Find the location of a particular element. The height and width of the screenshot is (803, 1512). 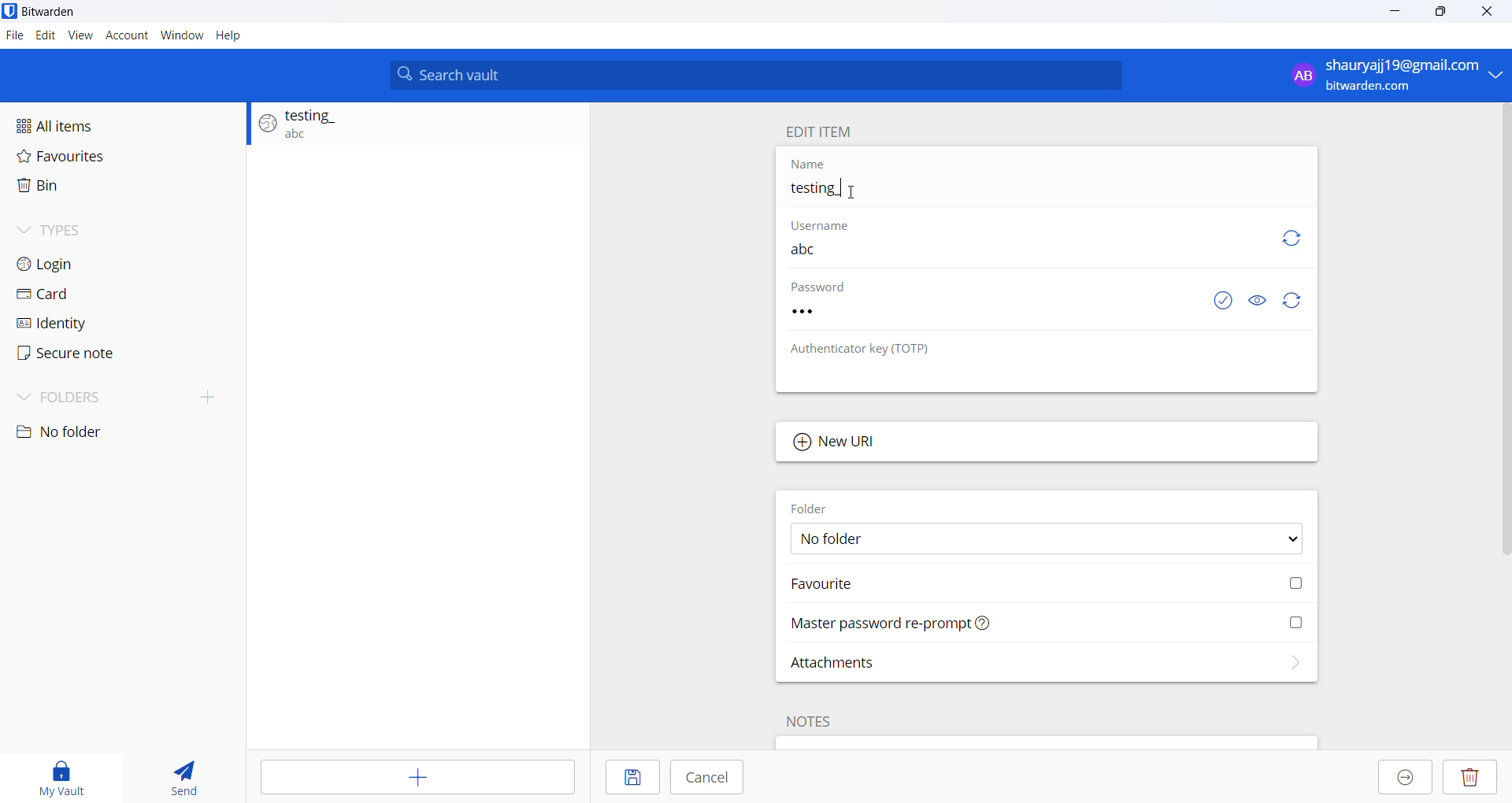

Bin is located at coordinates (114, 187).